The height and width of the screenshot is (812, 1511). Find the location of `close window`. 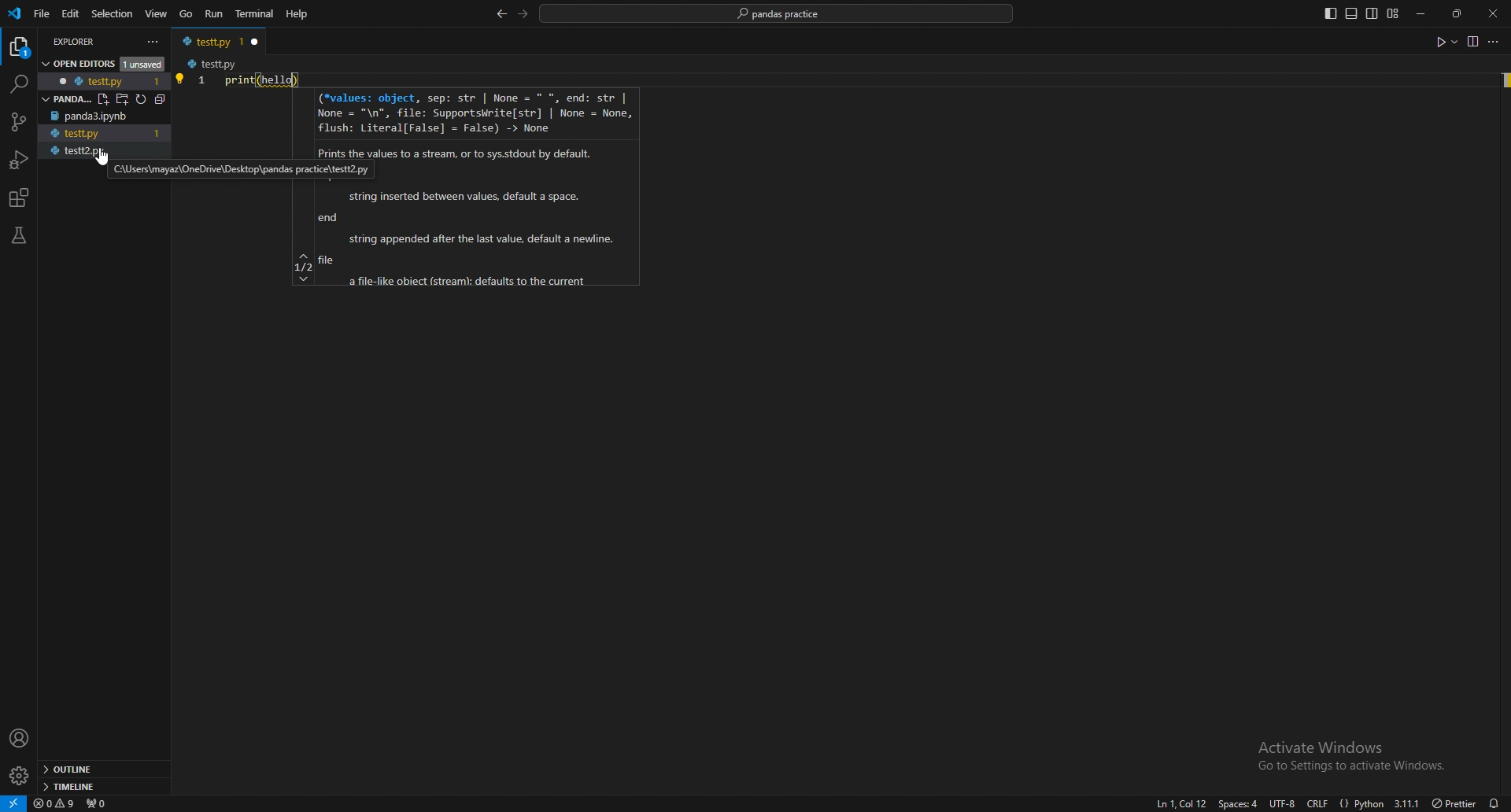

close window is located at coordinates (256, 41).